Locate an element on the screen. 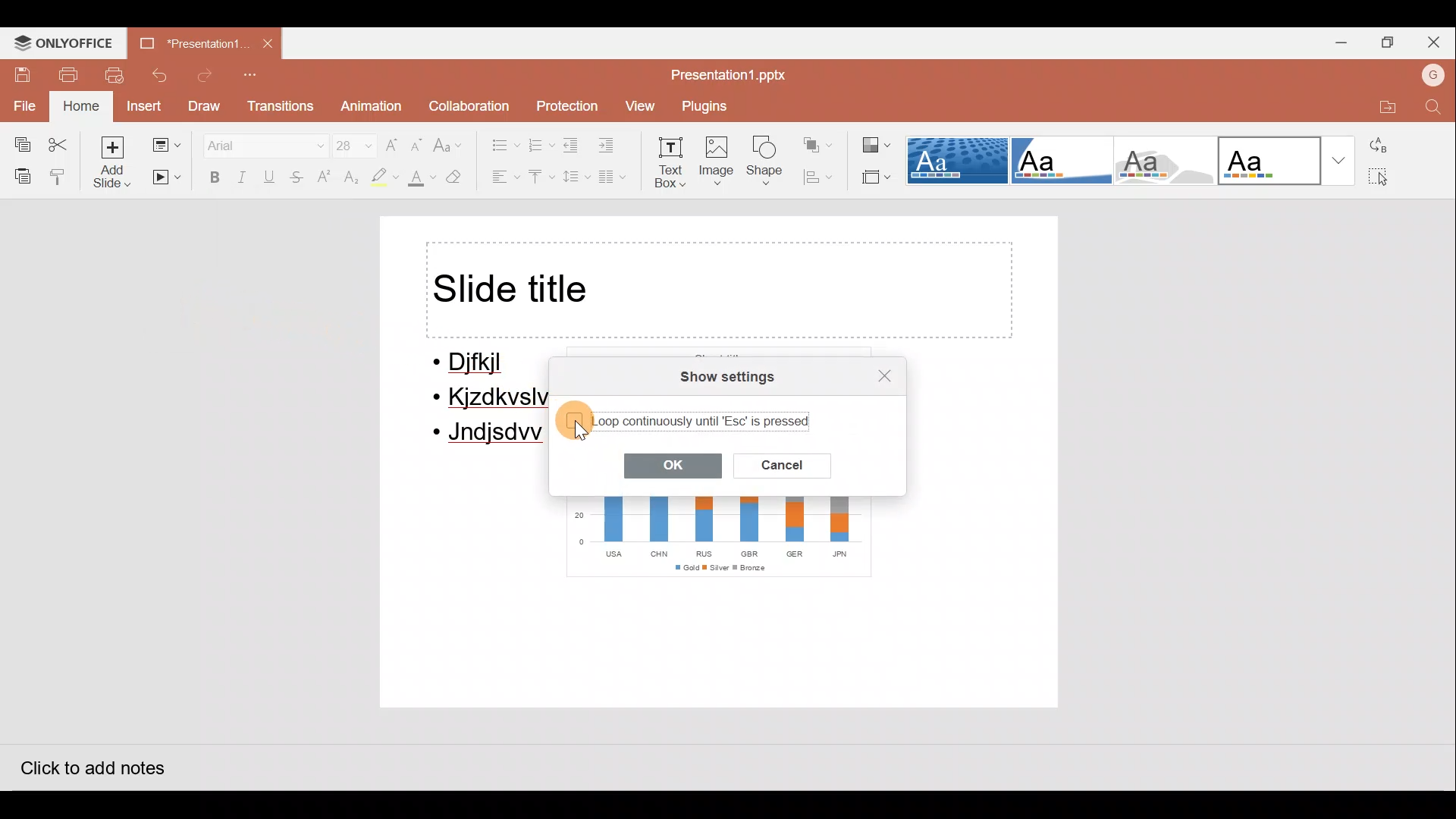 This screenshot has height=819, width=1456. Dotted is located at coordinates (956, 160).